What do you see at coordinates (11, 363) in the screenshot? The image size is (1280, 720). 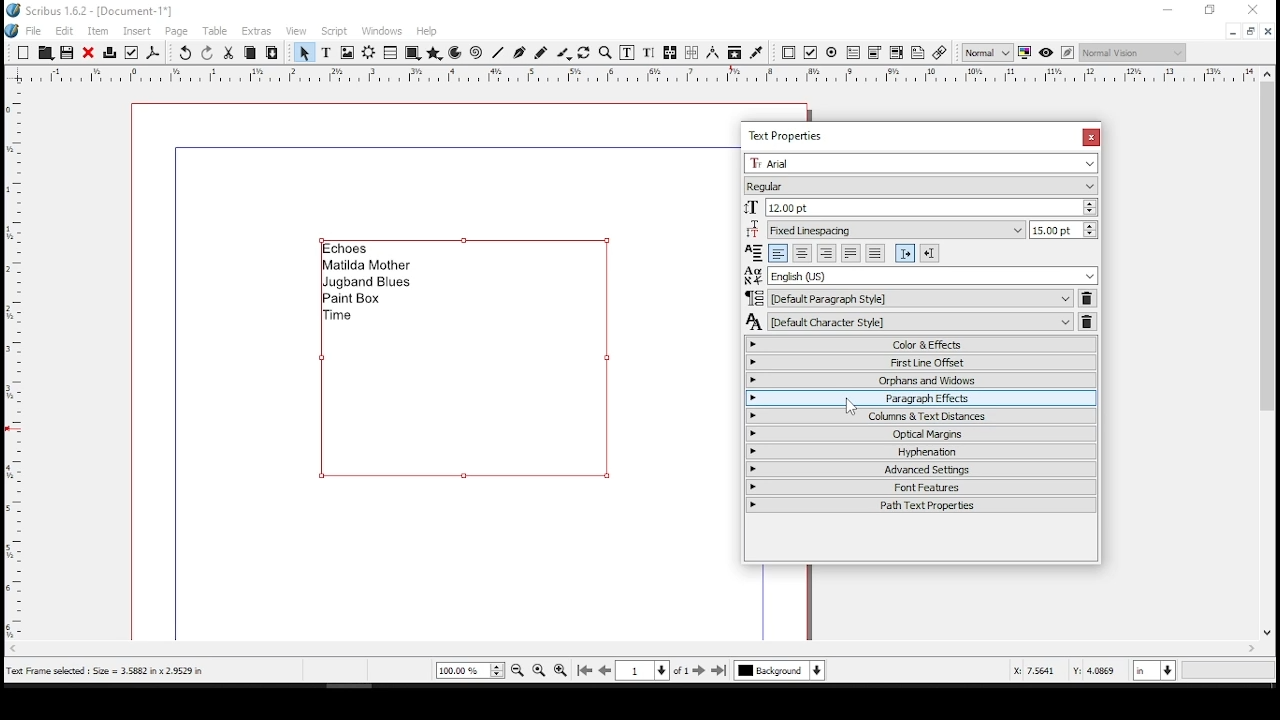 I see `vertical scale` at bounding box center [11, 363].